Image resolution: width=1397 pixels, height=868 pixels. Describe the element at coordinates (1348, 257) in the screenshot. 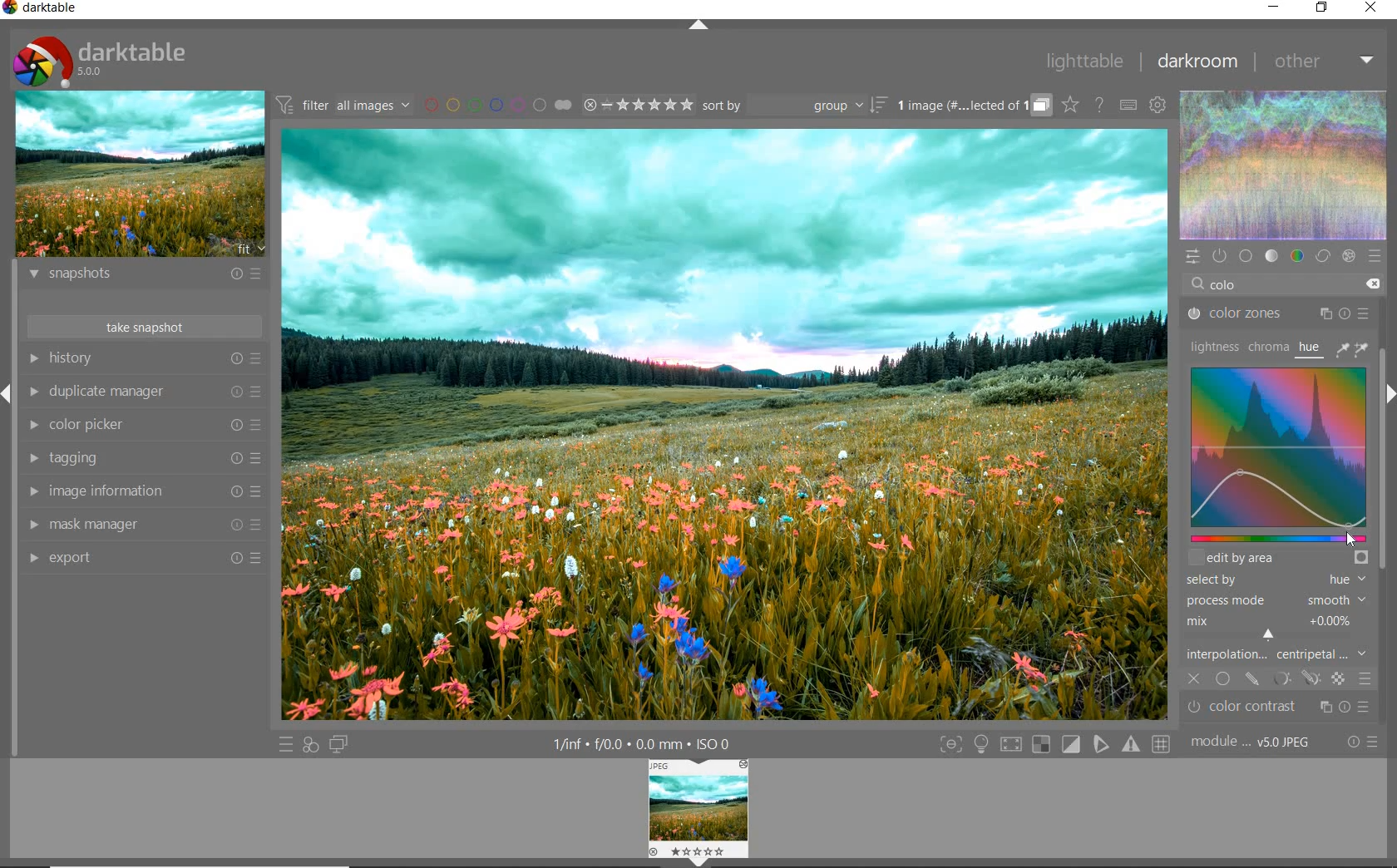

I see `effect` at that location.